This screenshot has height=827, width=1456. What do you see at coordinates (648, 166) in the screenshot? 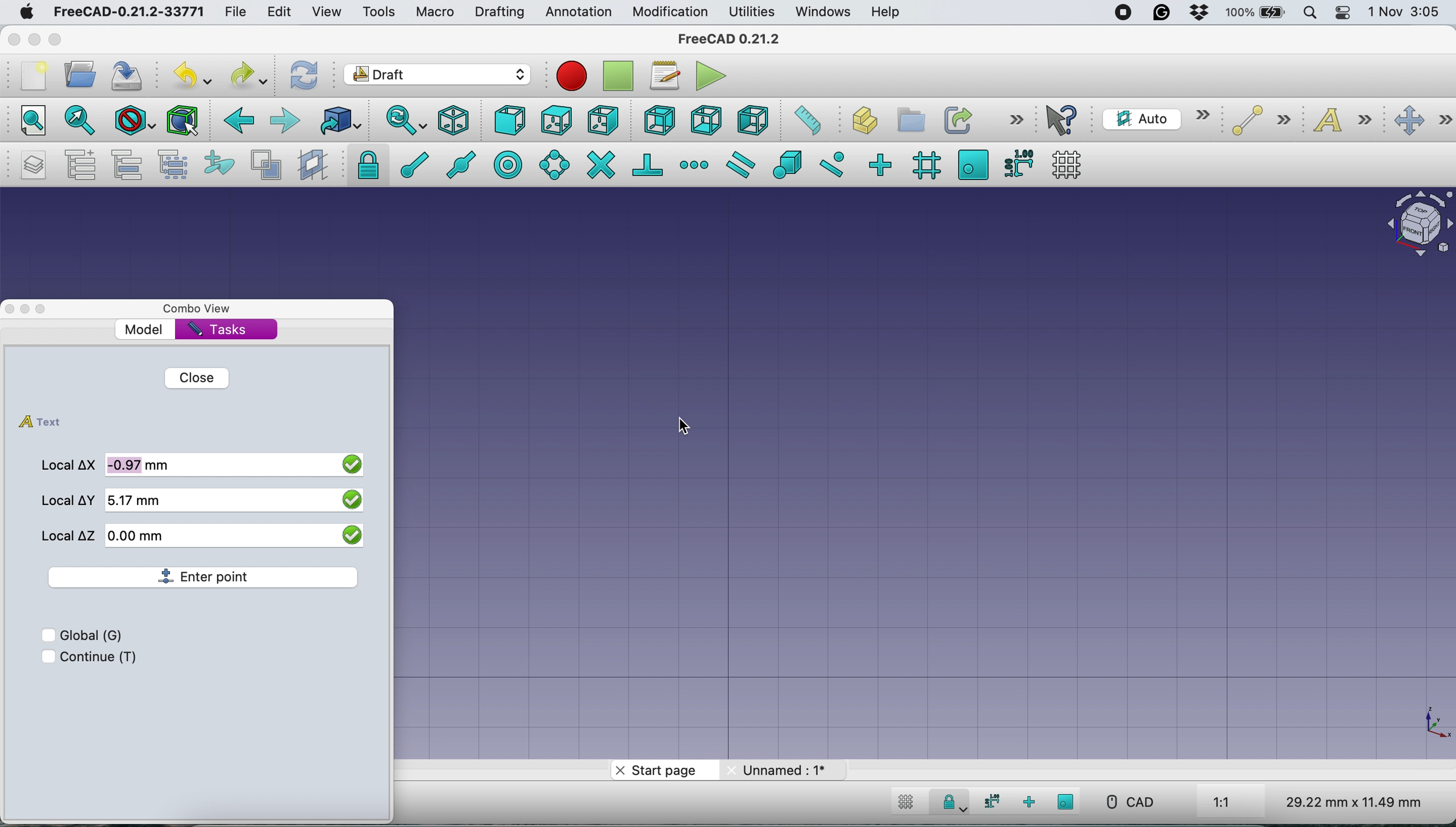
I see `snap perpendiculat` at bounding box center [648, 166].